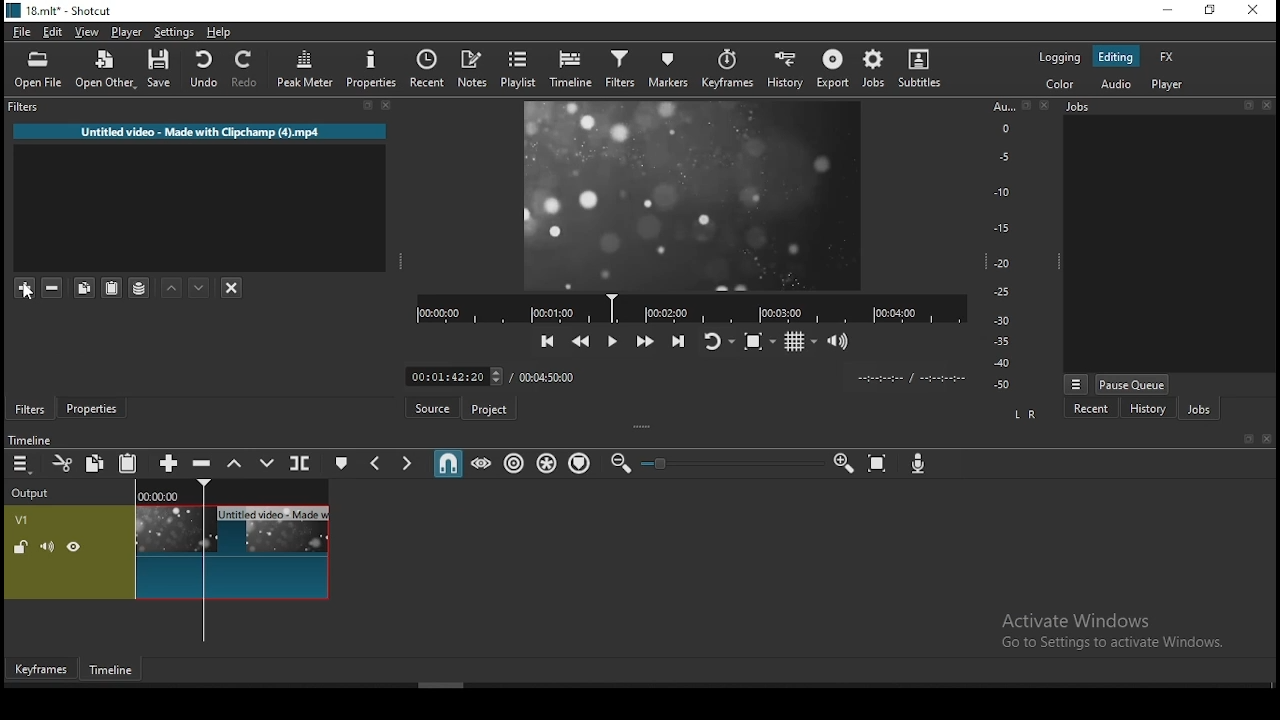 The height and width of the screenshot is (720, 1280). What do you see at coordinates (128, 462) in the screenshot?
I see `paste` at bounding box center [128, 462].